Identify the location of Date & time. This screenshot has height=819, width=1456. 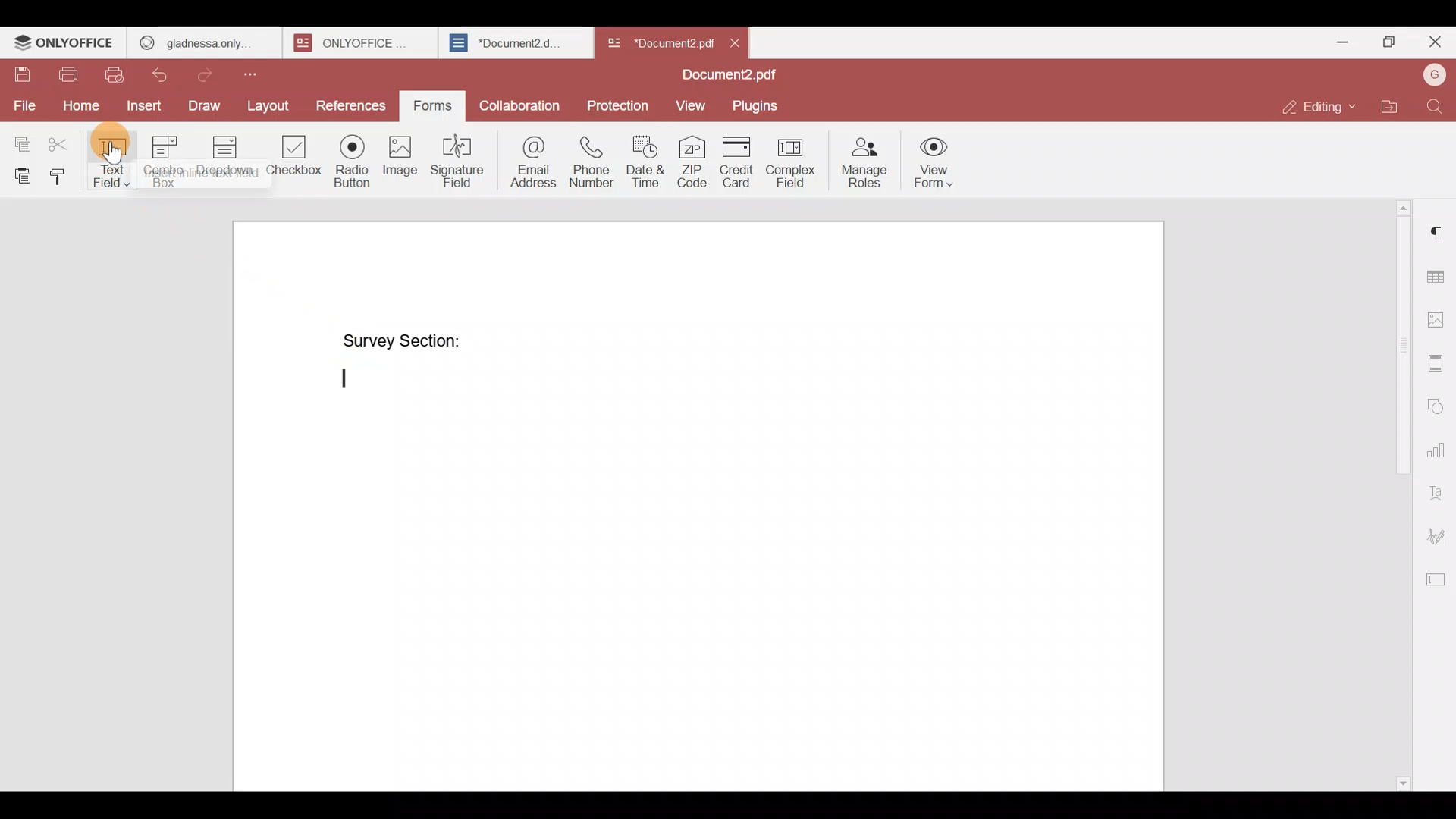
(645, 161).